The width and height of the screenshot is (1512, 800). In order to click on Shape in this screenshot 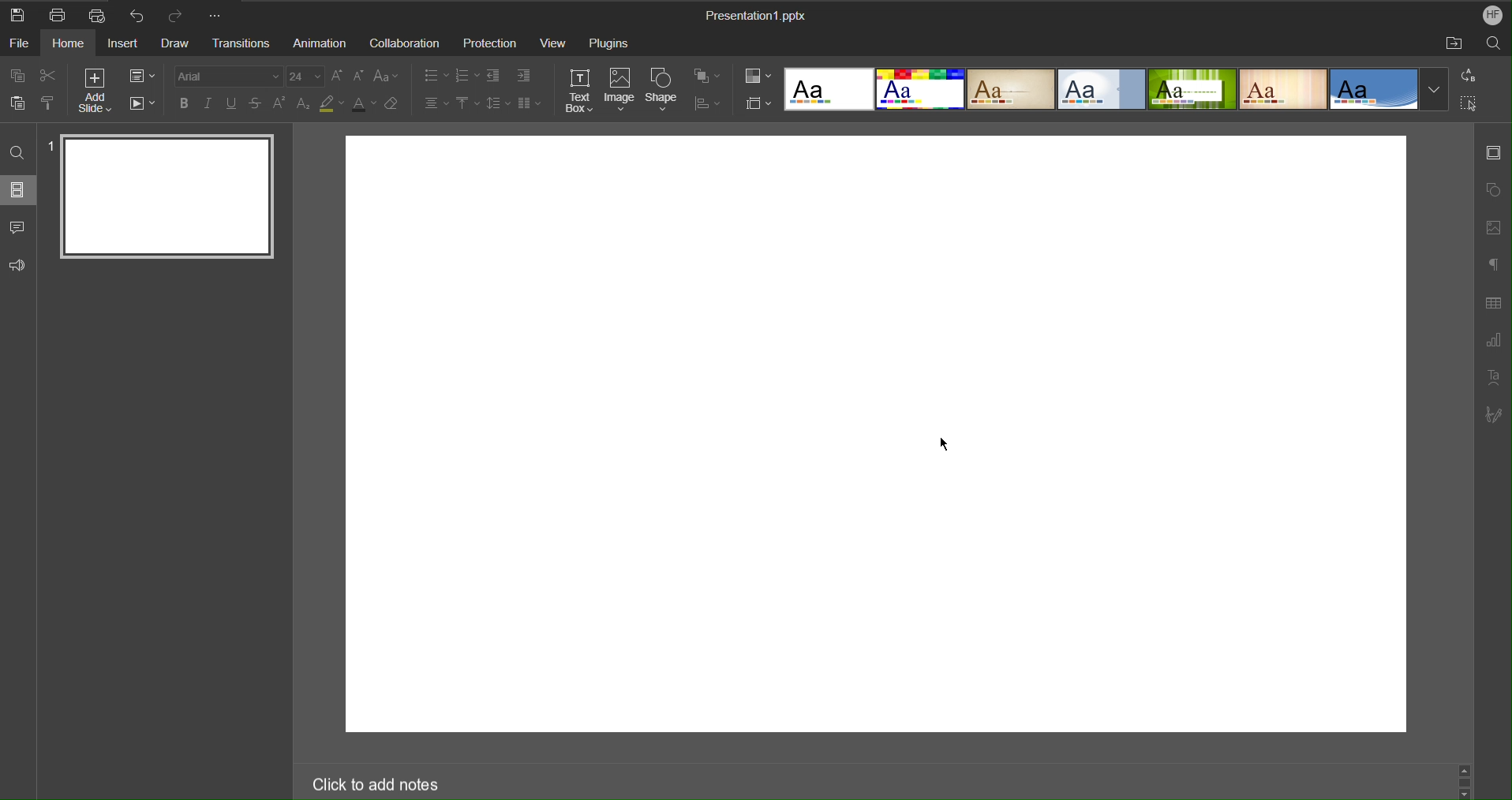, I will do `click(661, 91)`.